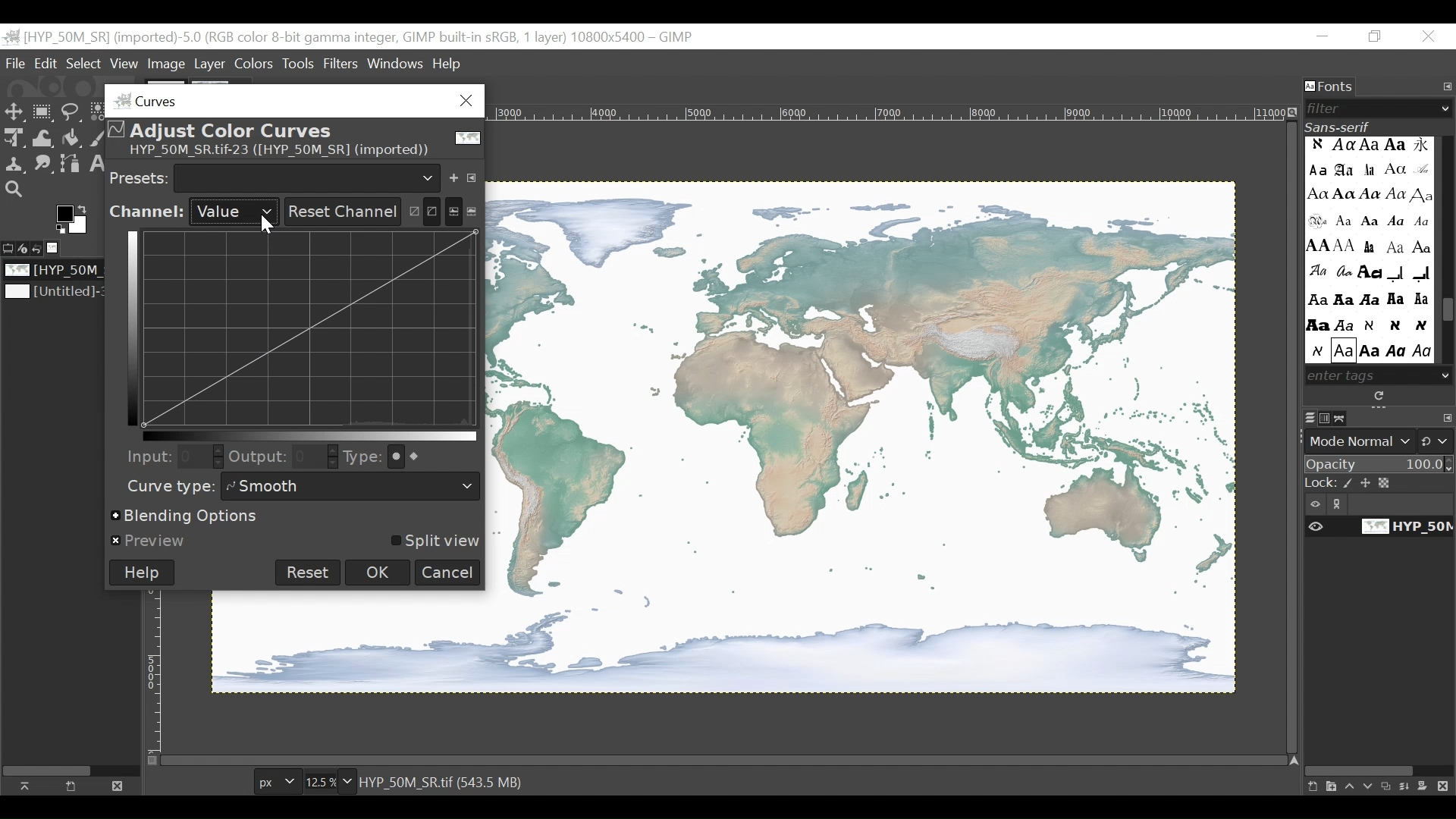 This screenshot has width=1456, height=819. I want to click on Smudge Tool, so click(42, 165).